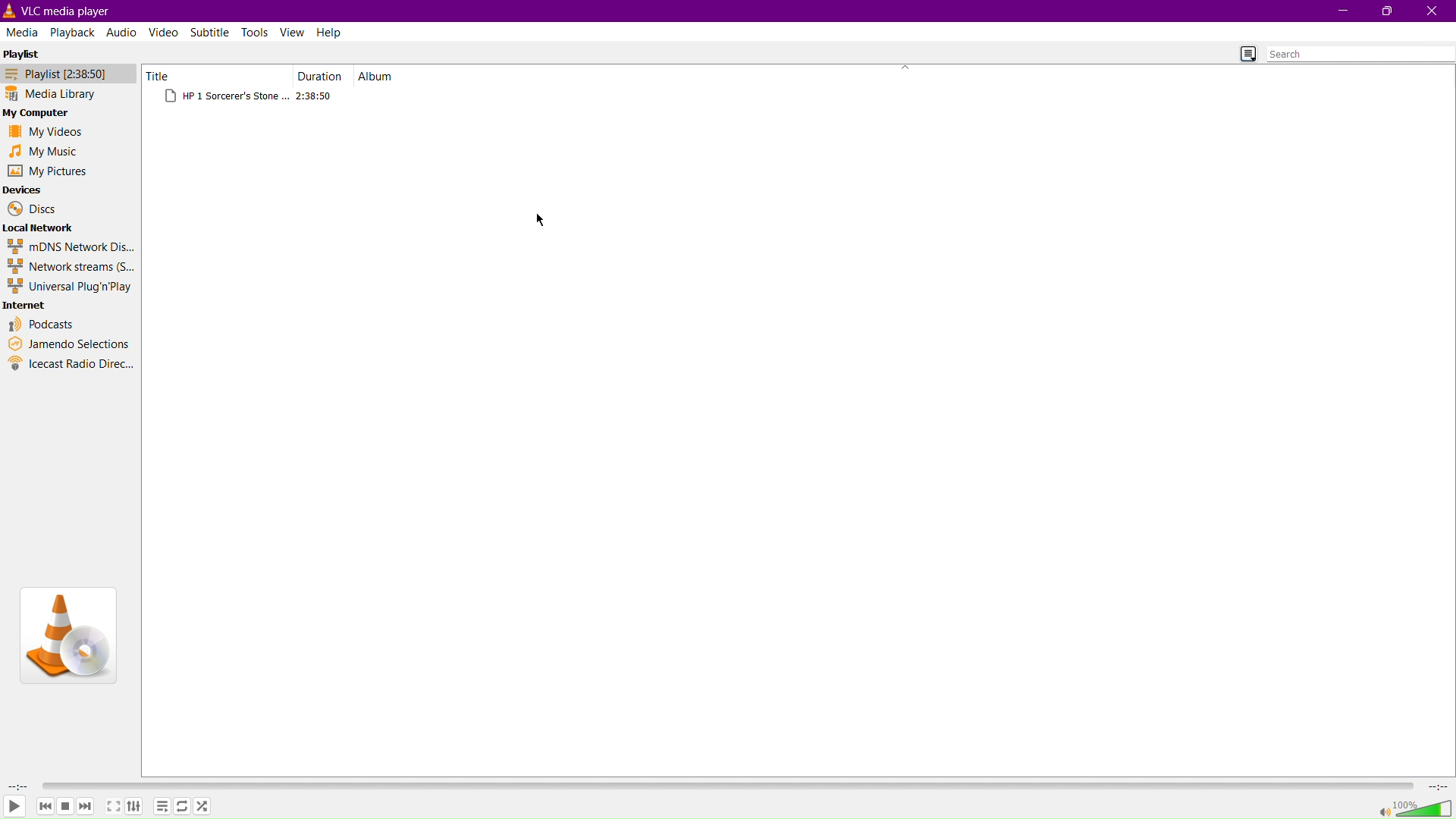 This screenshot has width=1456, height=819. Describe the element at coordinates (71, 364) in the screenshot. I see `Icecast Radio Directory` at that location.